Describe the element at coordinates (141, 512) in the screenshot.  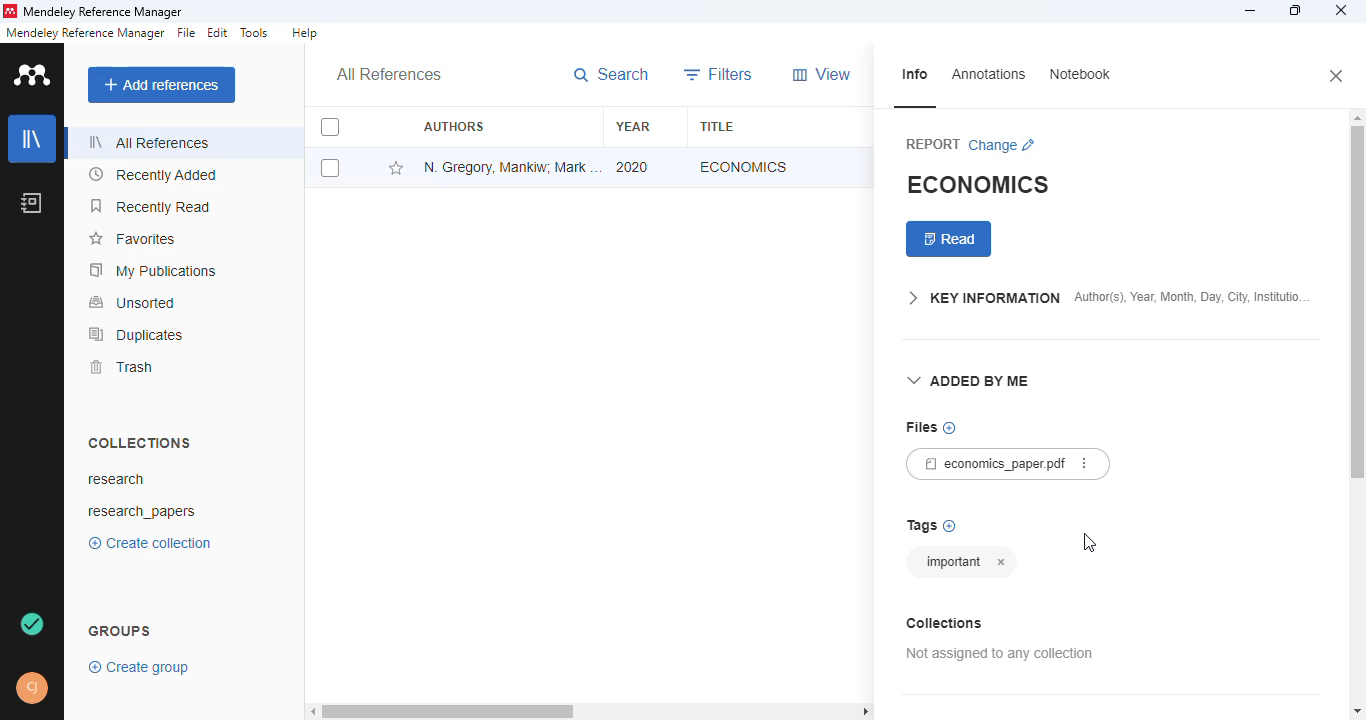
I see `research_papers` at that location.